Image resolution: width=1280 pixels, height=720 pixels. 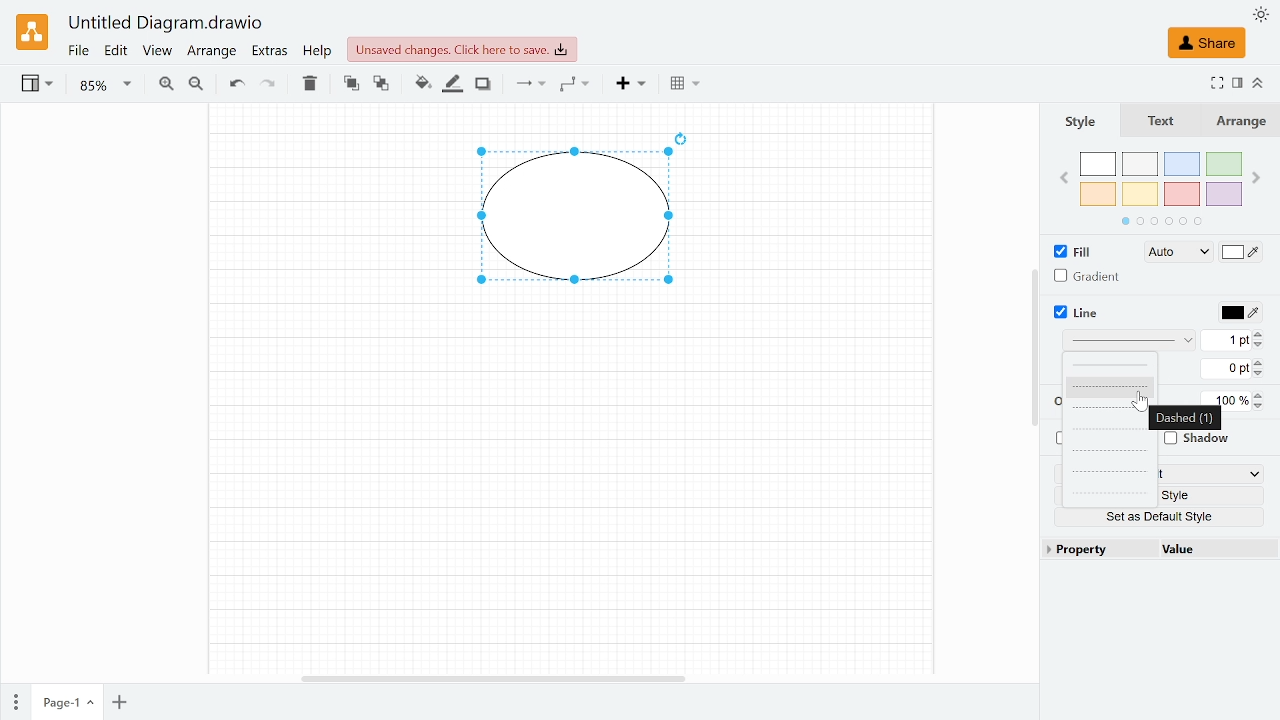 I want to click on Line, so click(x=1090, y=313).